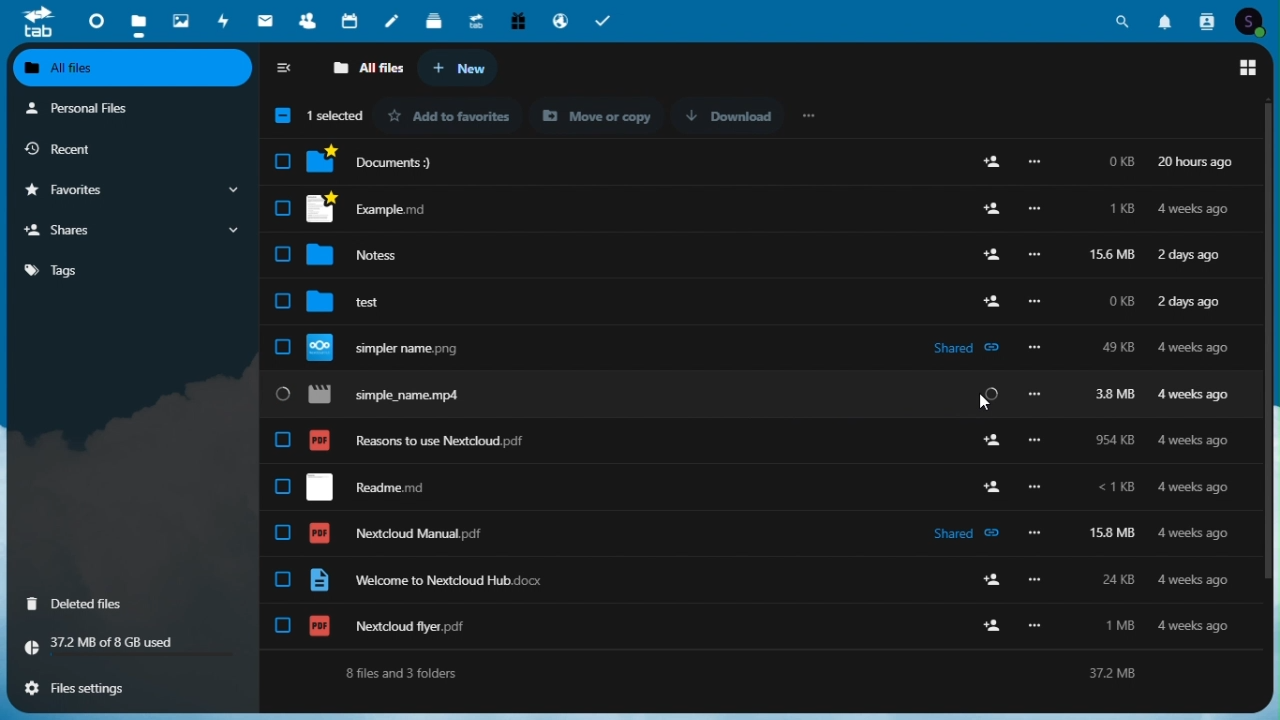 The width and height of the screenshot is (1280, 720). Describe the element at coordinates (95, 18) in the screenshot. I see `Dashboard` at that location.